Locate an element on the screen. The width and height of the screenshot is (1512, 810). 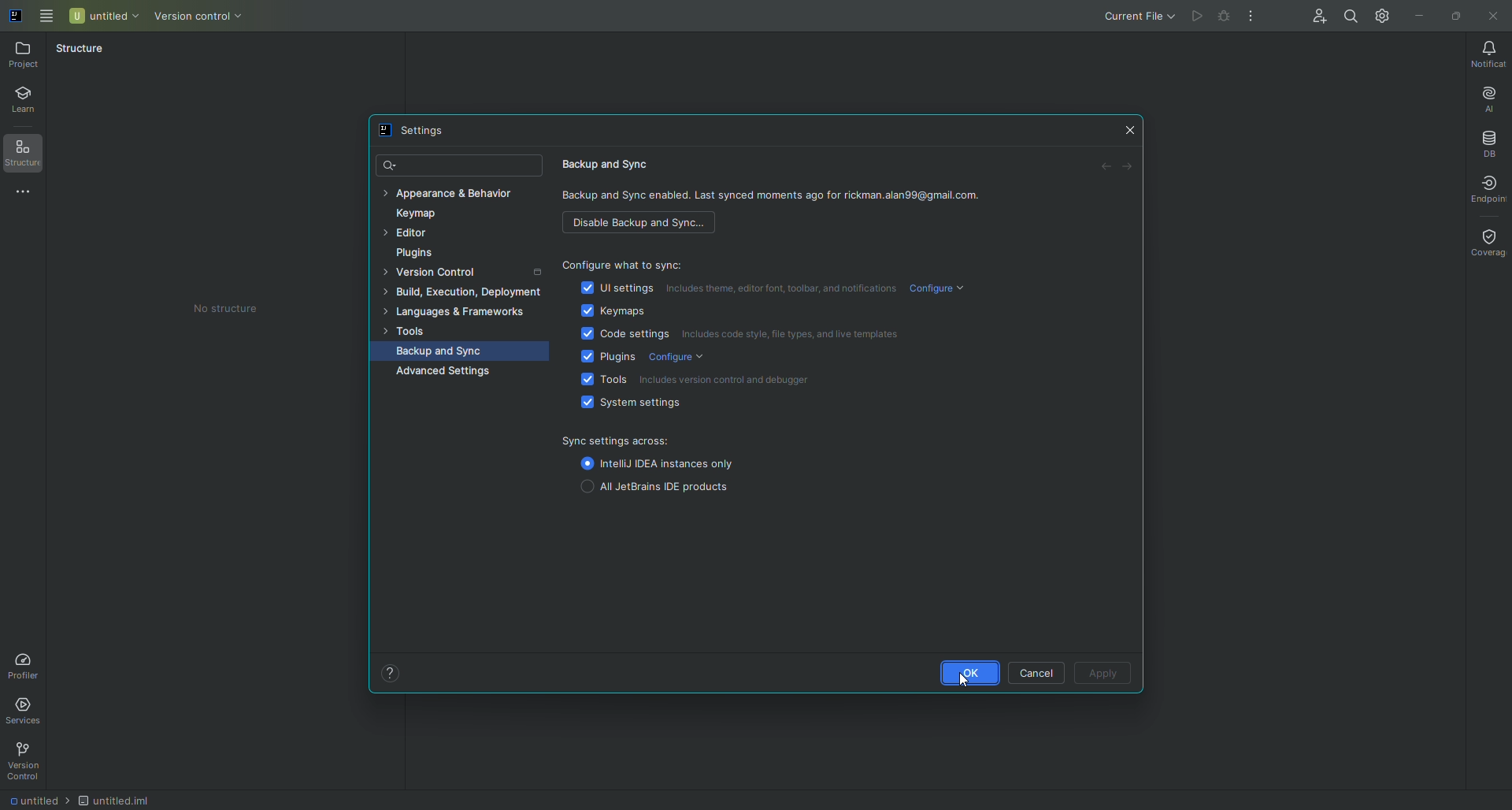
Learn is located at coordinates (31, 102).